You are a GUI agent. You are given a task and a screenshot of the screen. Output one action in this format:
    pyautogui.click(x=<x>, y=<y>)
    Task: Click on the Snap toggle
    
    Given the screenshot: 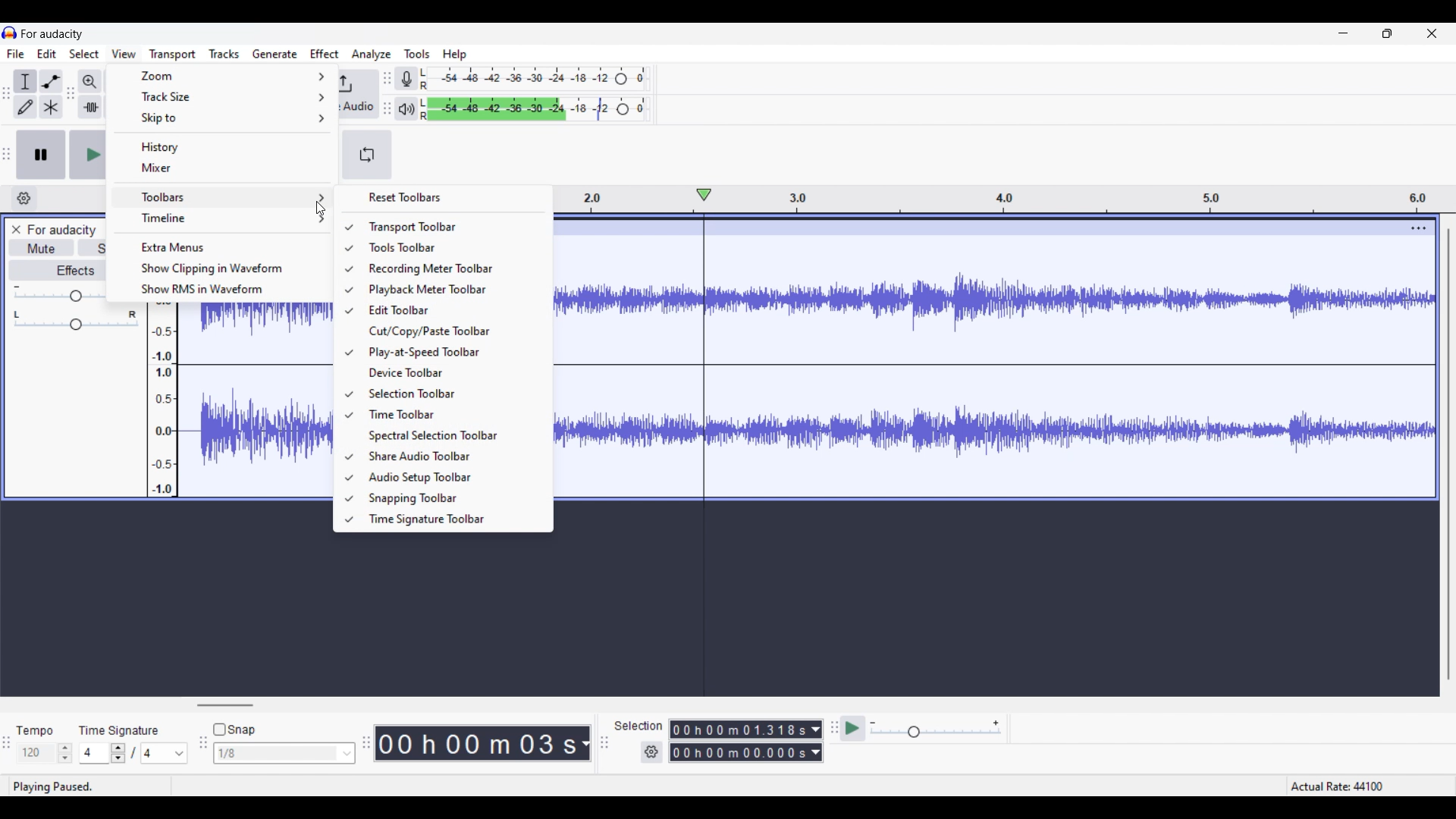 What is the action you would take?
    pyautogui.click(x=234, y=729)
    